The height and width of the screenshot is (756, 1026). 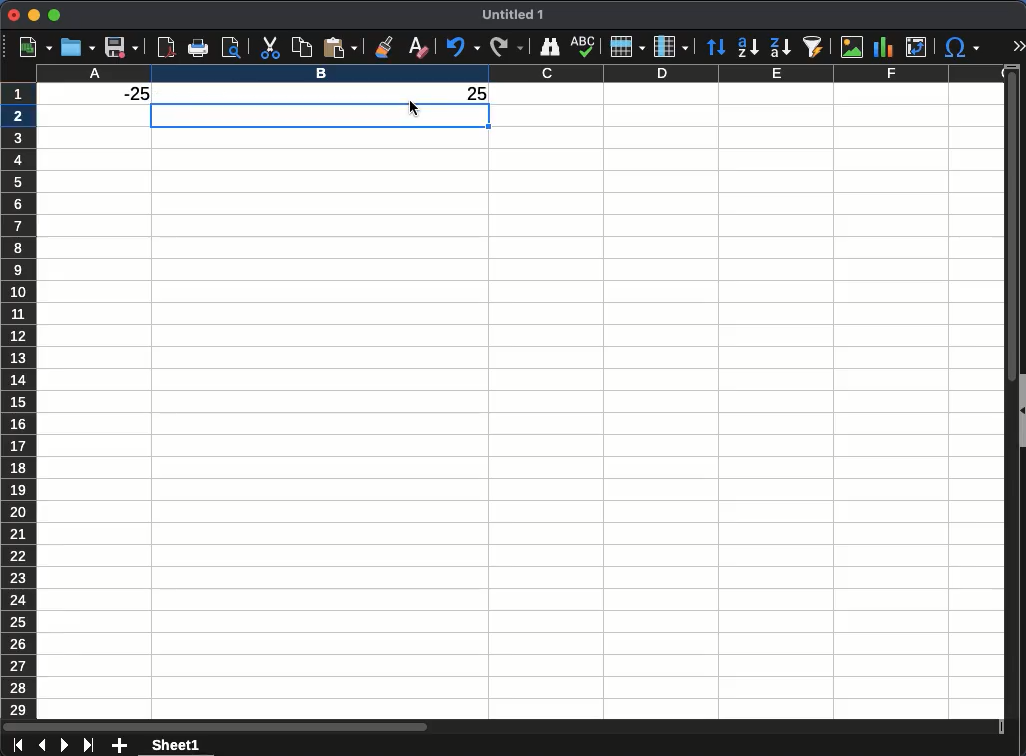 I want to click on paste, so click(x=339, y=46).